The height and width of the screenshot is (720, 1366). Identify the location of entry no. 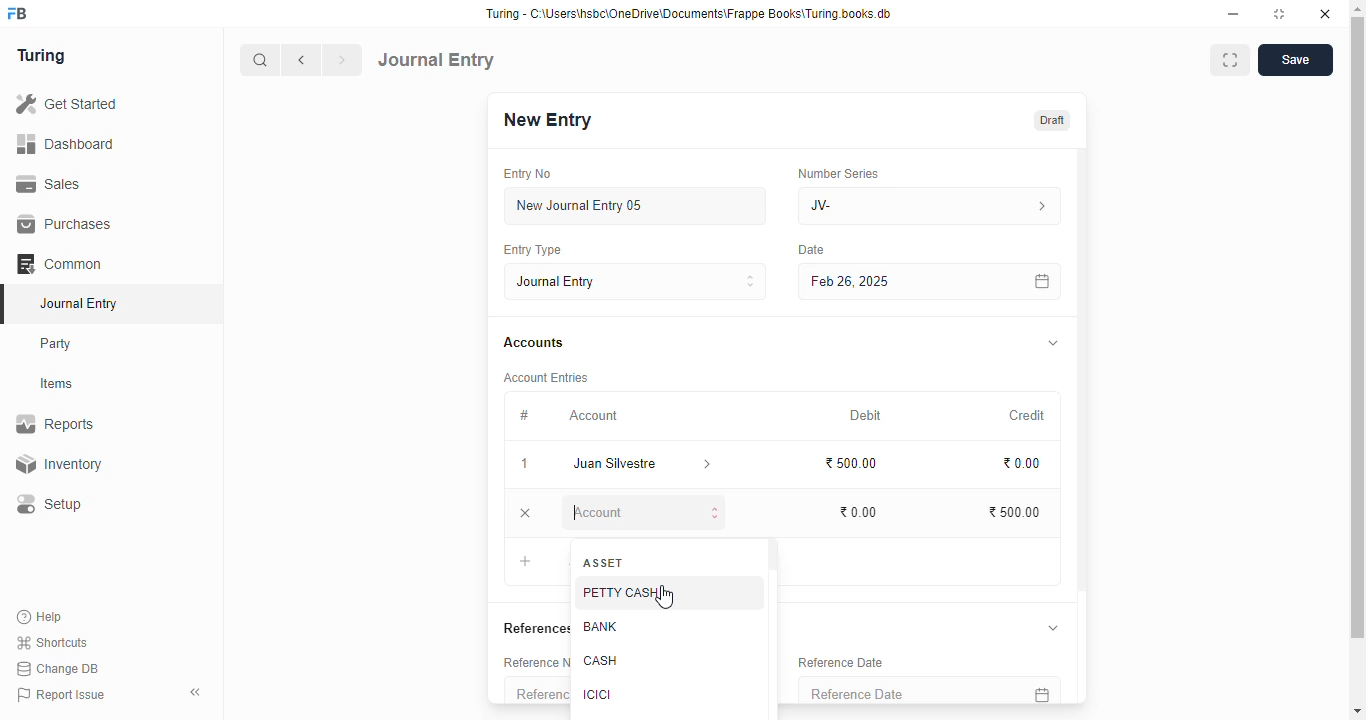
(529, 173).